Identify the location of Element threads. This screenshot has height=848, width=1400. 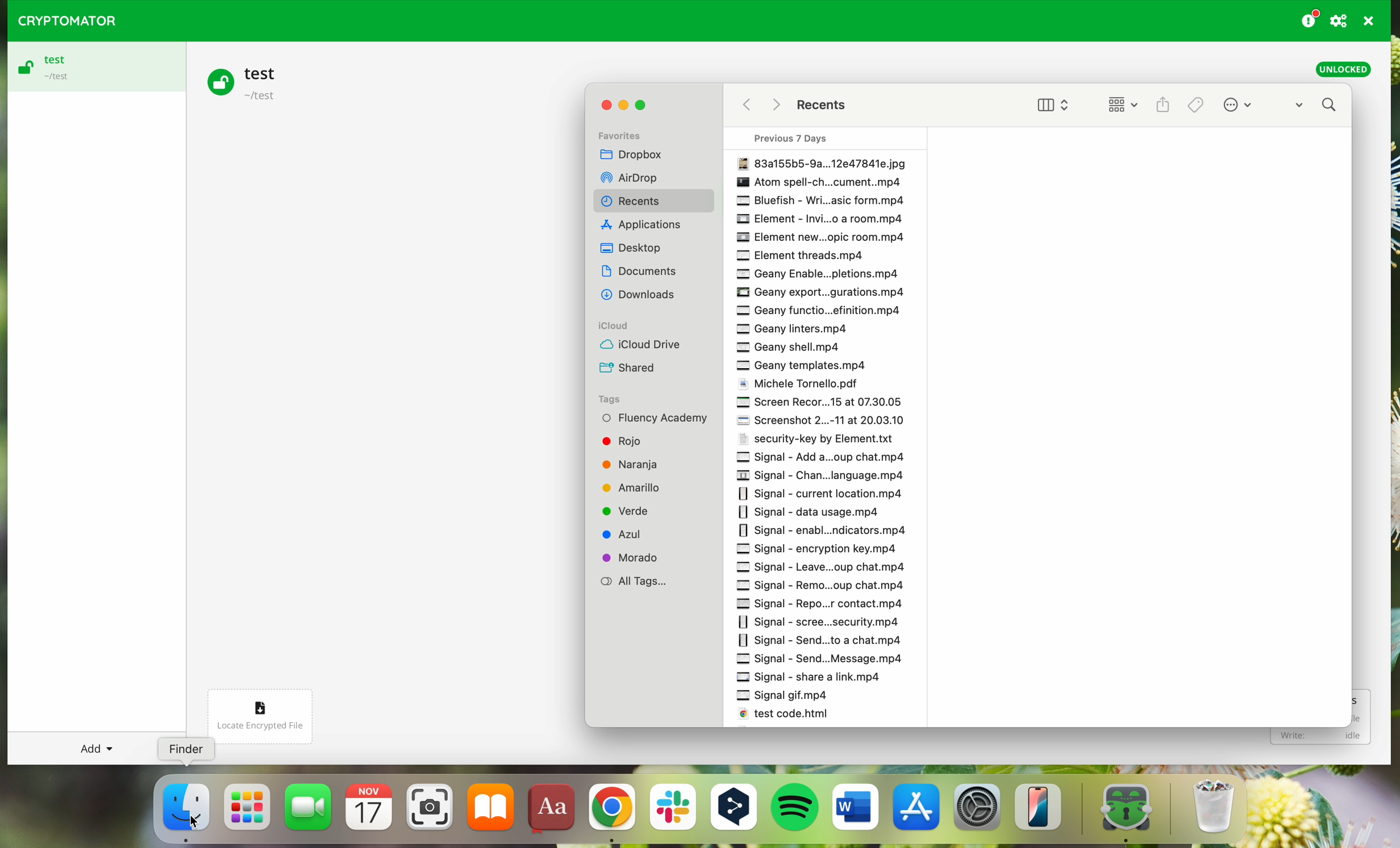
(797, 255).